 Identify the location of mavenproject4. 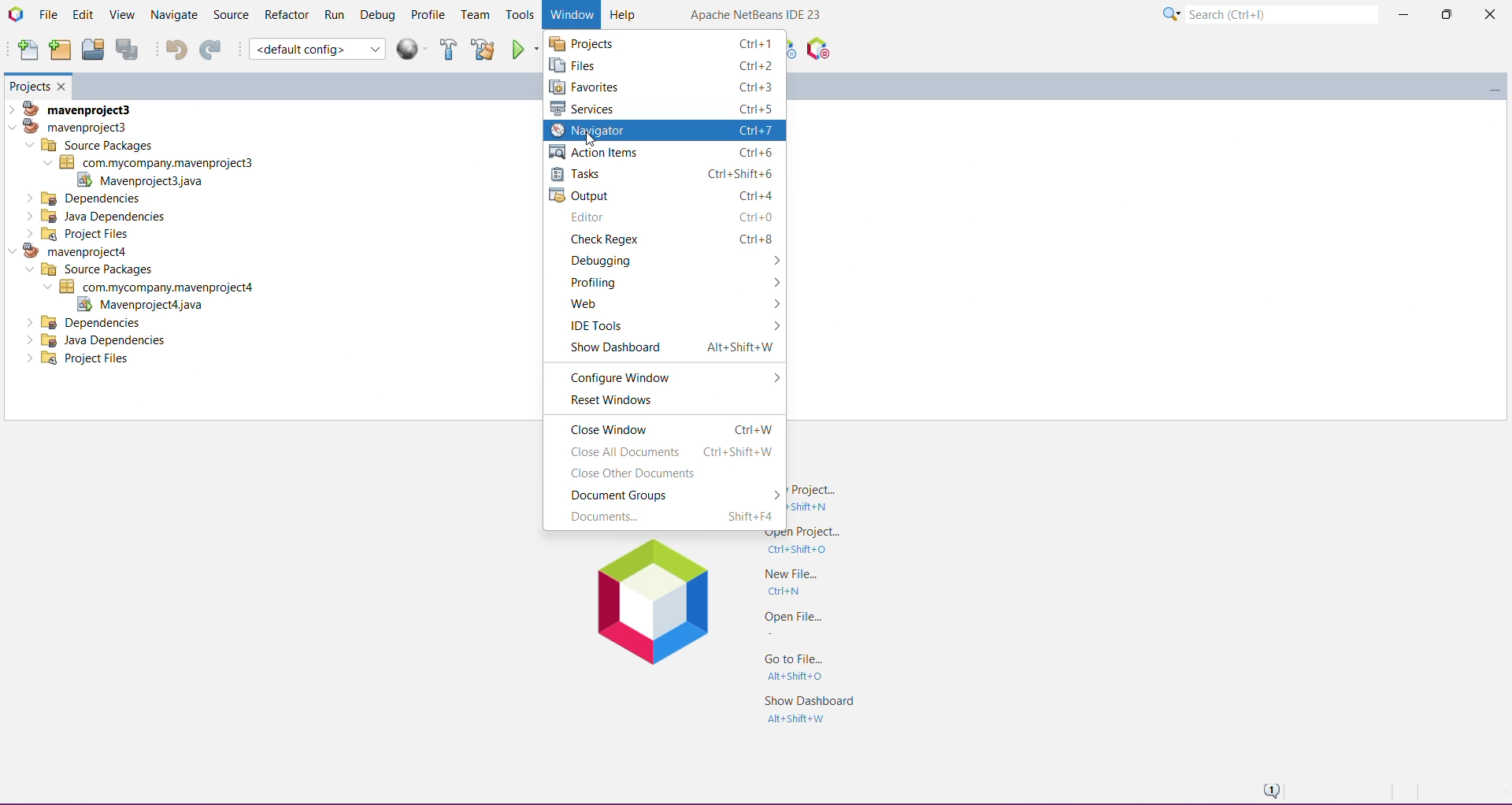
(76, 250).